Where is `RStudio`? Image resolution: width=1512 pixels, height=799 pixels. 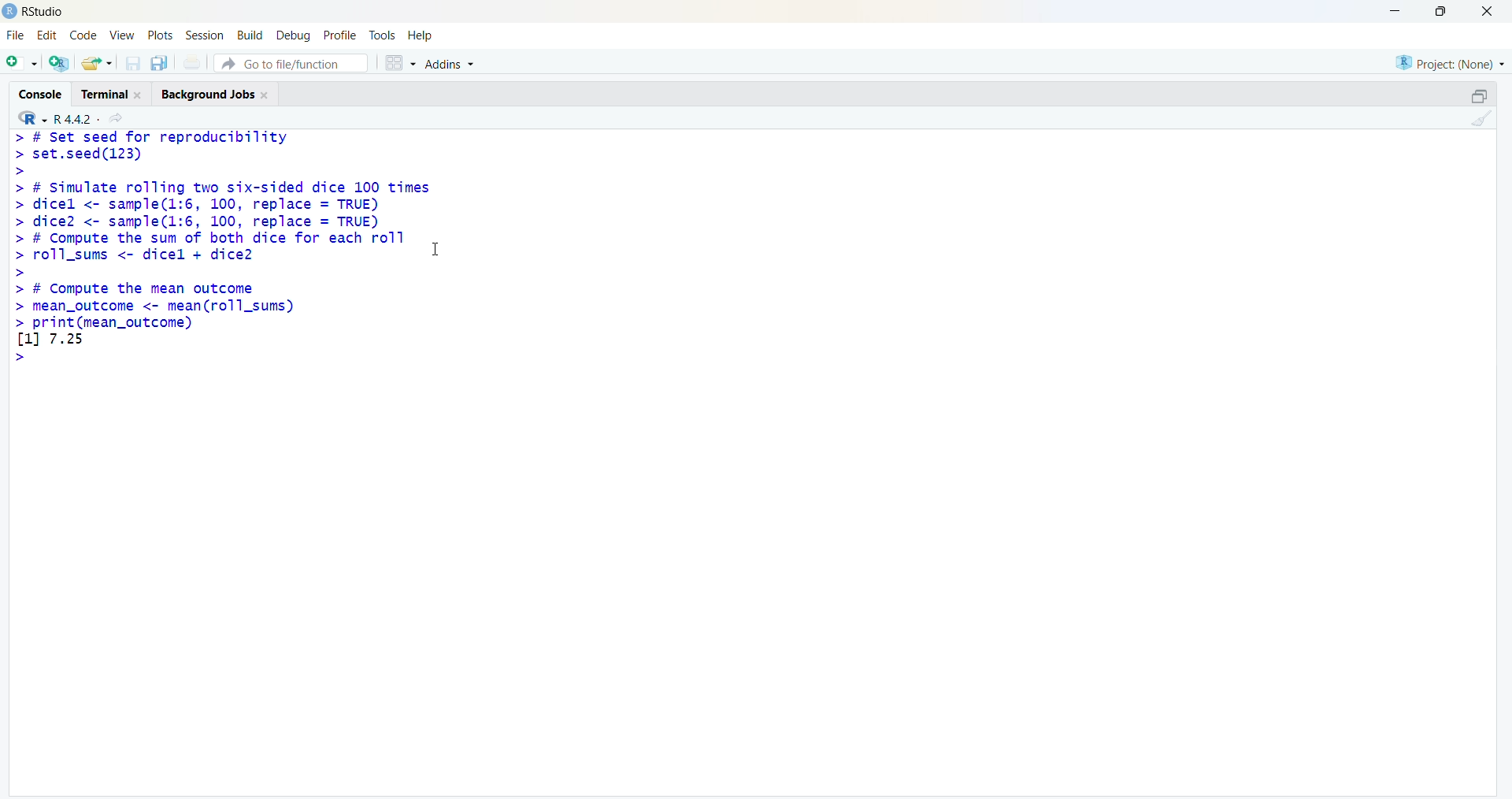 RStudio is located at coordinates (46, 13).